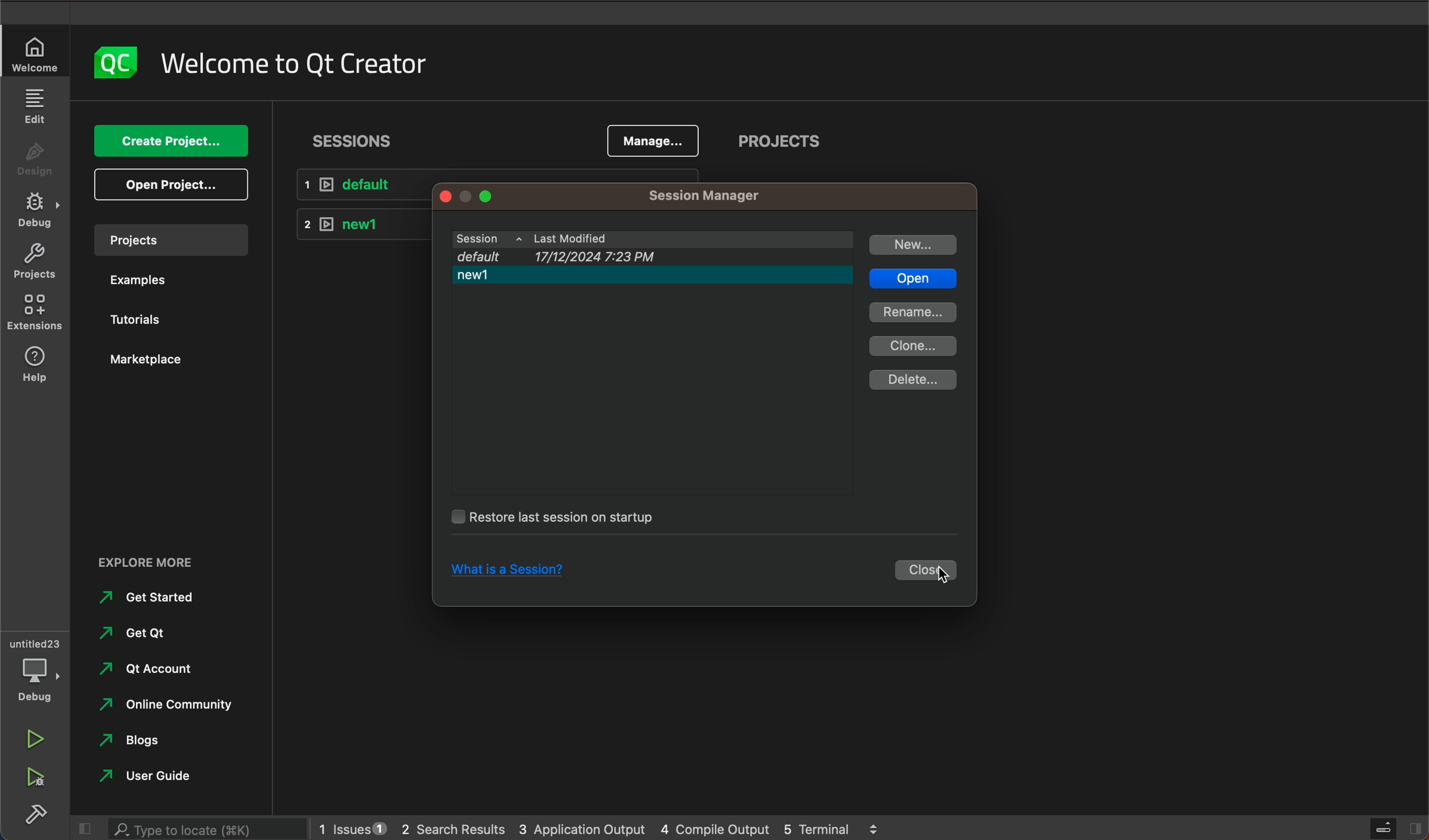 This screenshot has height=840, width=1429. What do you see at coordinates (150, 775) in the screenshot?
I see `ser guide` at bounding box center [150, 775].